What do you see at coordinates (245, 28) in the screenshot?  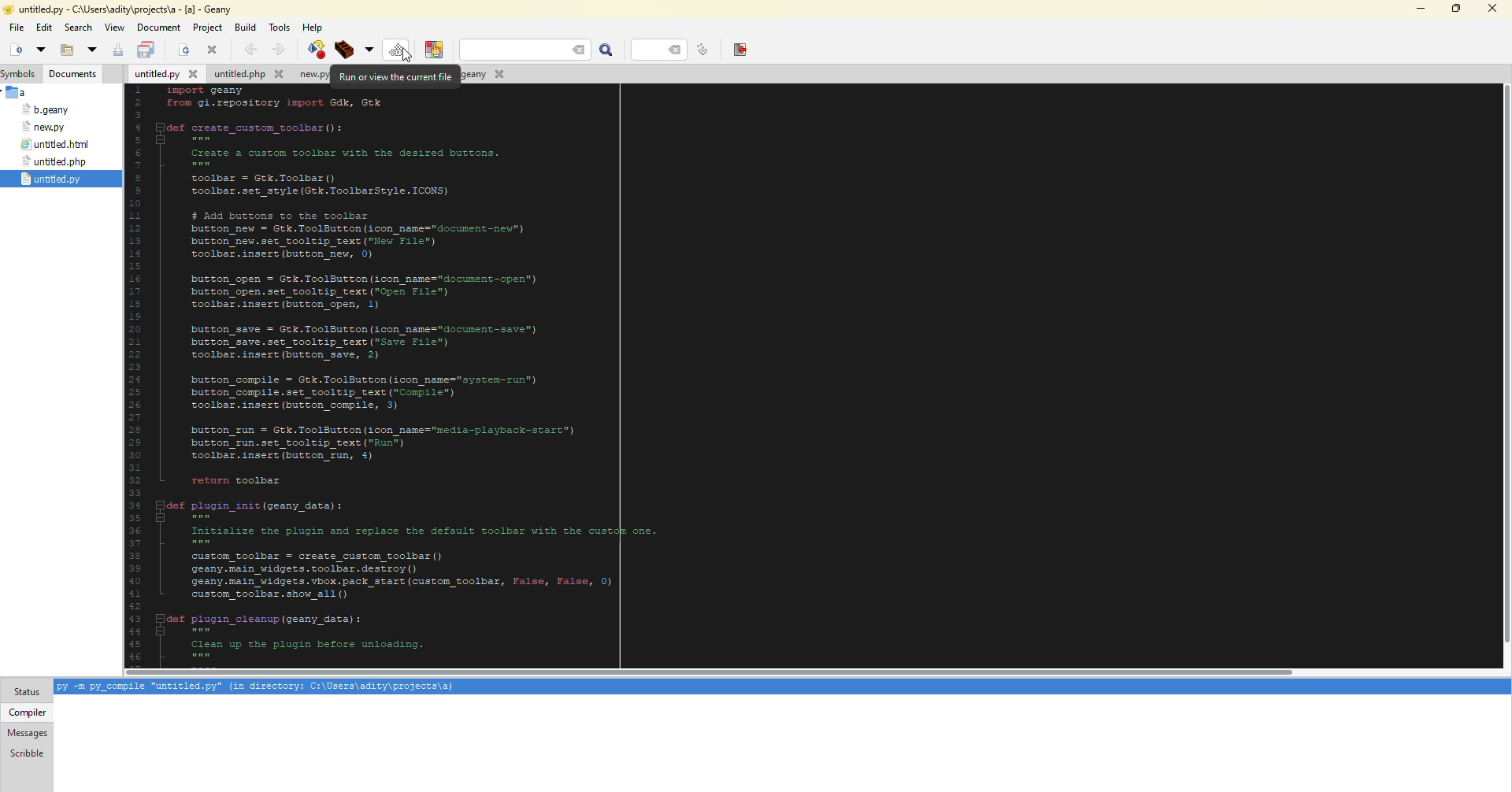 I see `build` at bounding box center [245, 28].